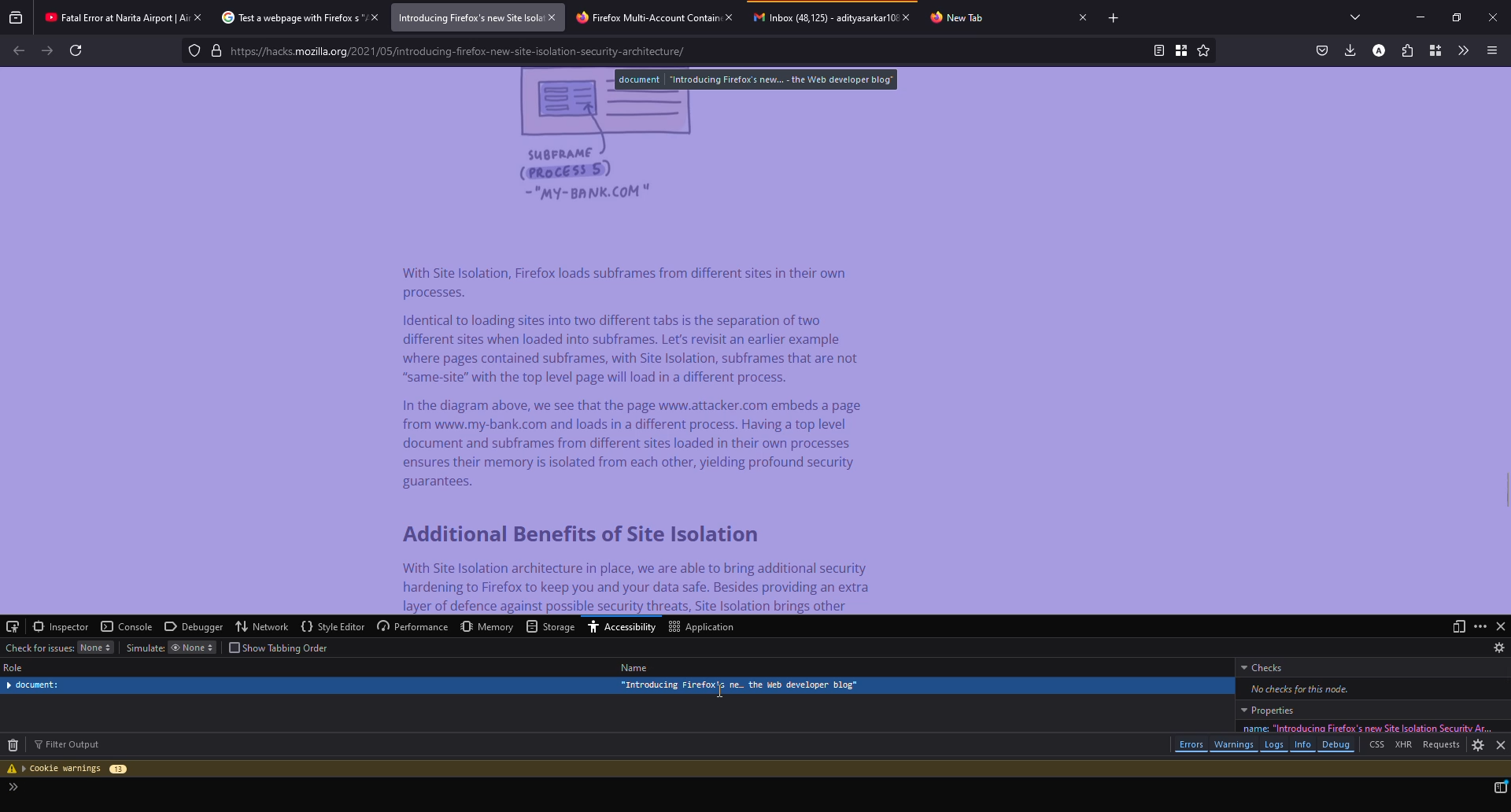 The image size is (1511, 812). Describe the element at coordinates (95, 648) in the screenshot. I see `none` at that location.